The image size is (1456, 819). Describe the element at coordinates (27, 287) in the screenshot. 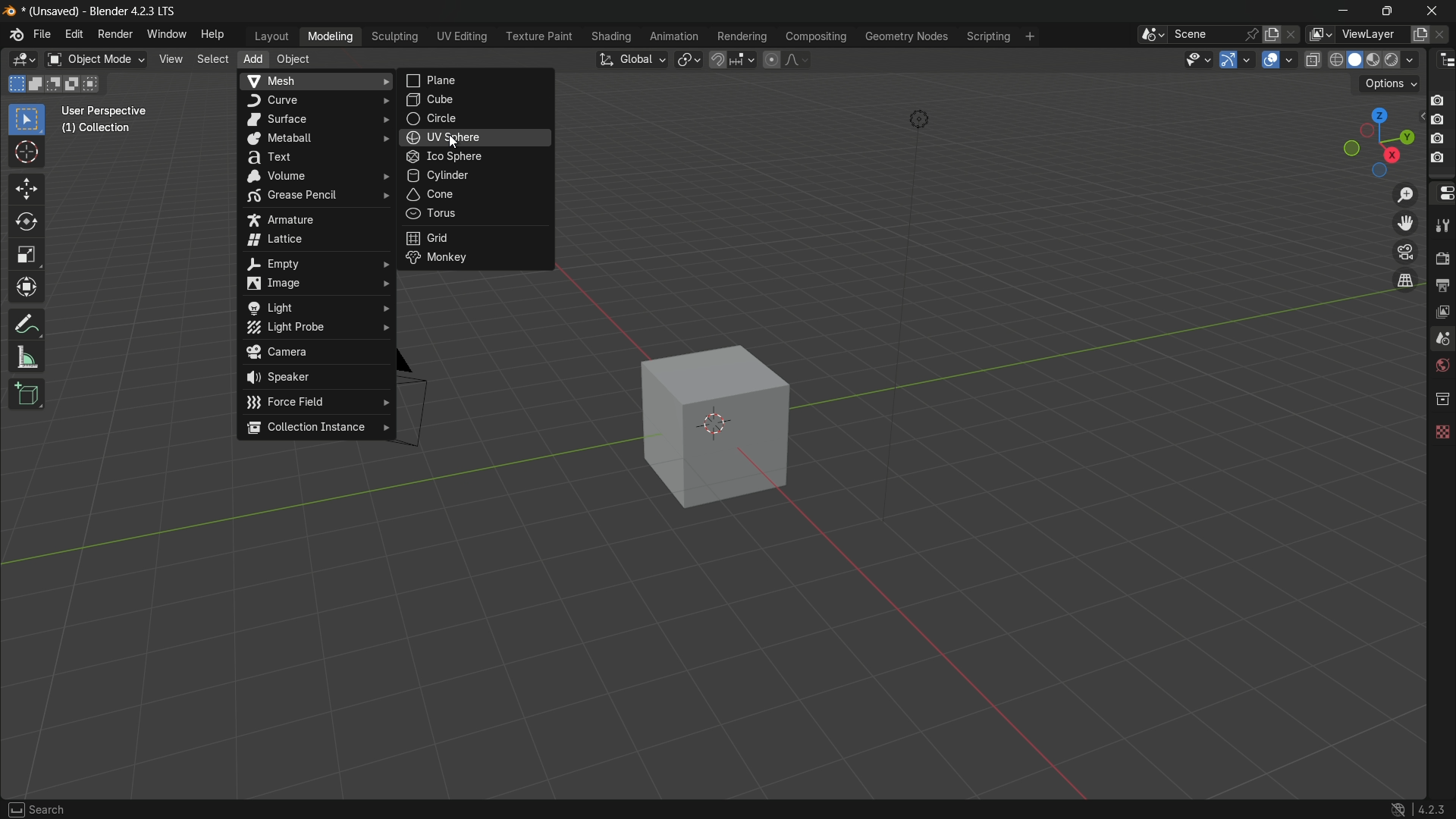

I see `transform` at that location.